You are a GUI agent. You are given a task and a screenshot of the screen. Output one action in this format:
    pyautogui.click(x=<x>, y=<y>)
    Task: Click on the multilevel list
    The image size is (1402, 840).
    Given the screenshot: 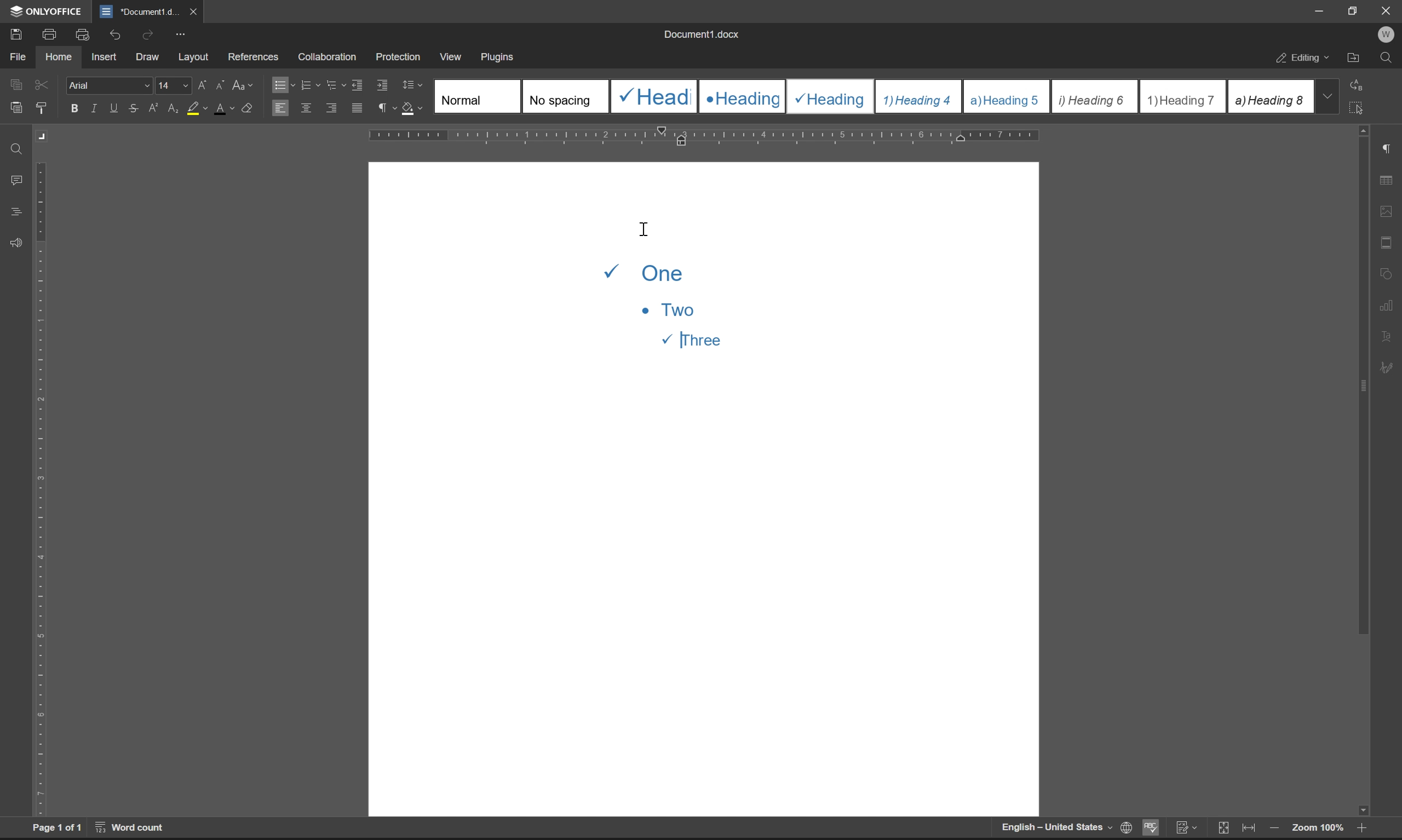 What is the action you would take?
    pyautogui.click(x=337, y=84)
    